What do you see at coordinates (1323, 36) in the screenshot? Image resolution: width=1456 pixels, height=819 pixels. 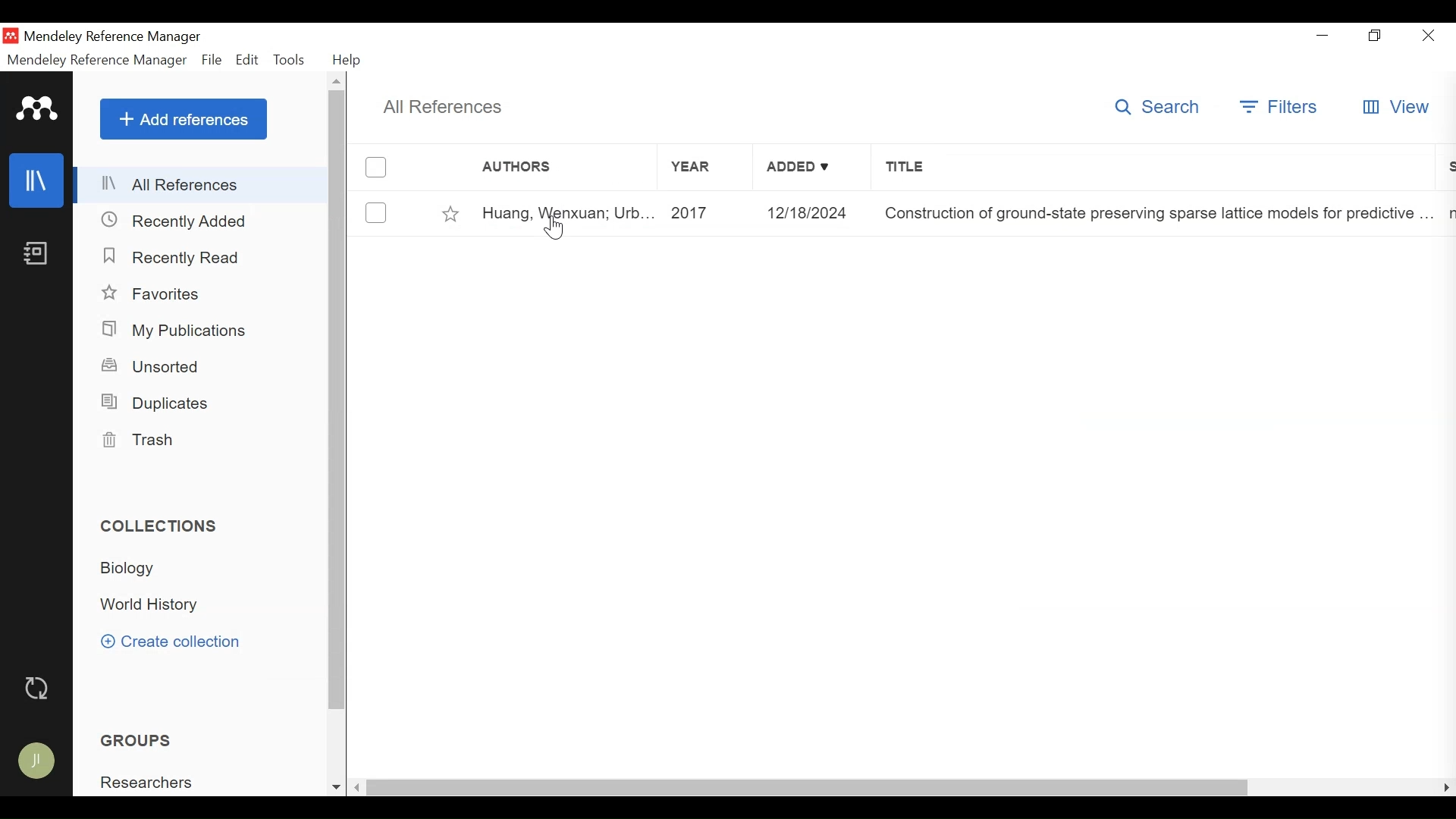 I see `minimize` at bounding box center [1323, 36].